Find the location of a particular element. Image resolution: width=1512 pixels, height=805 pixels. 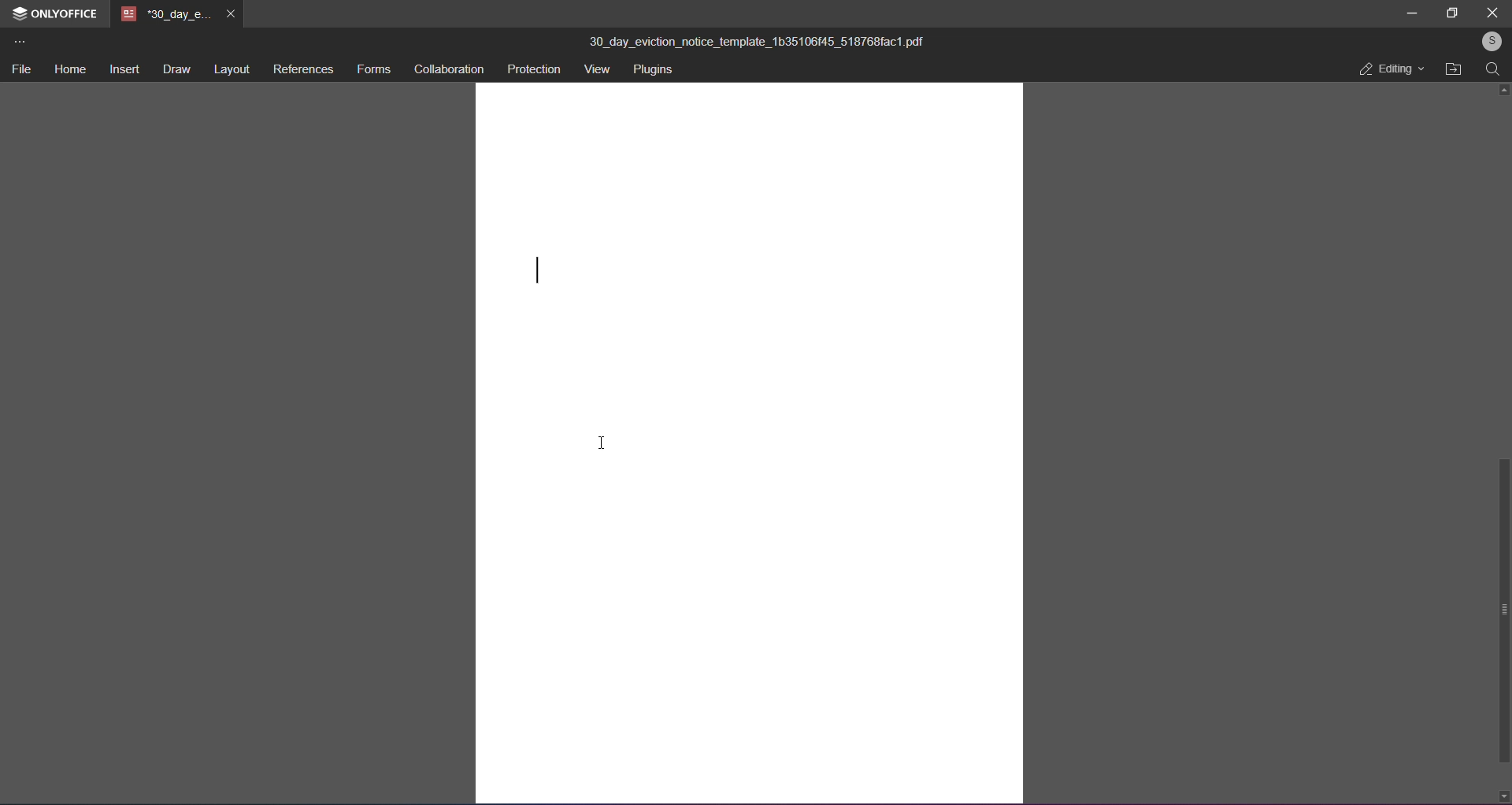

more is located at coordinates (18, 43).